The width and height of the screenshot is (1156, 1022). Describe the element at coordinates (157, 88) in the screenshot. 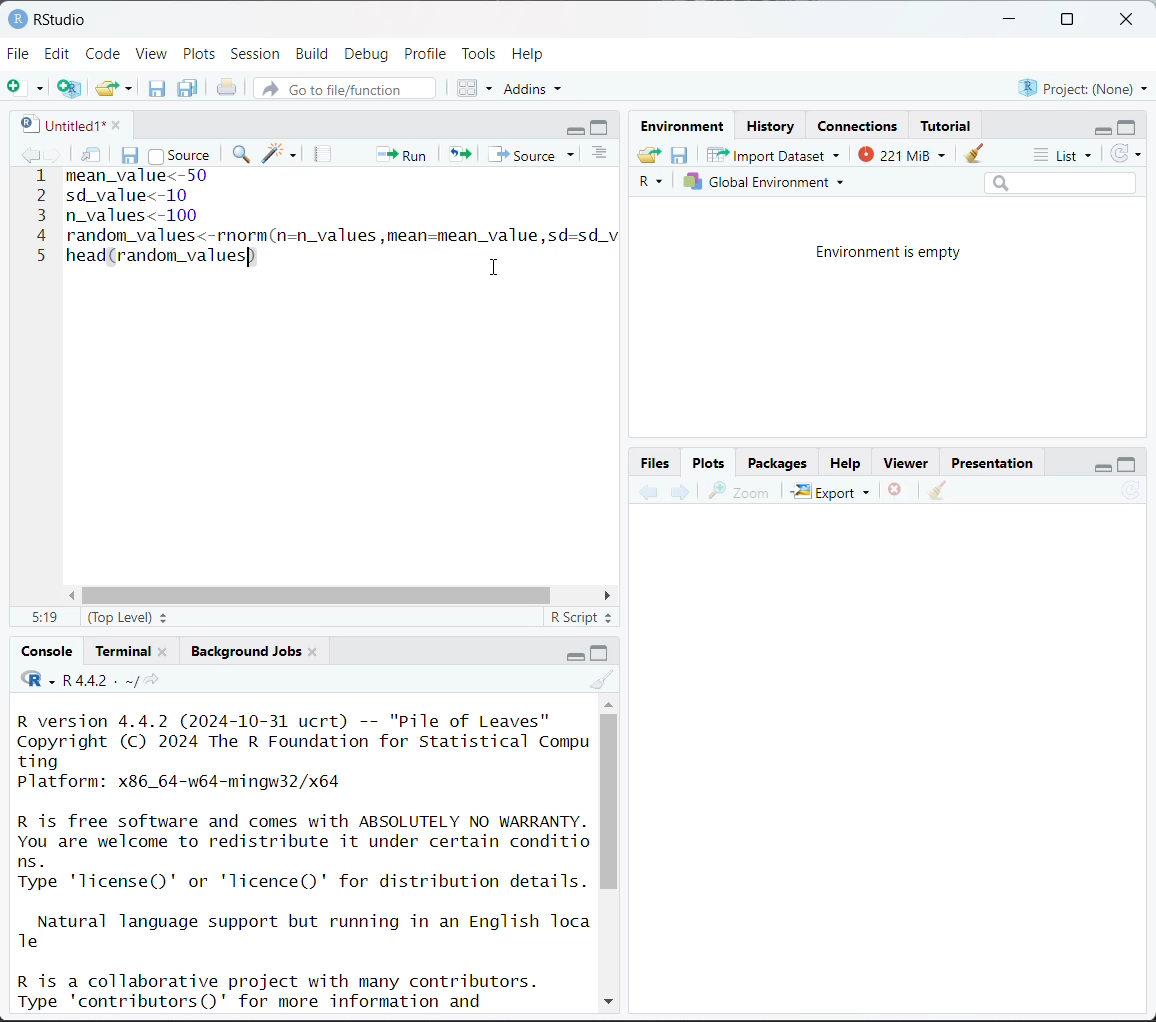

I see `save current document` at that location.